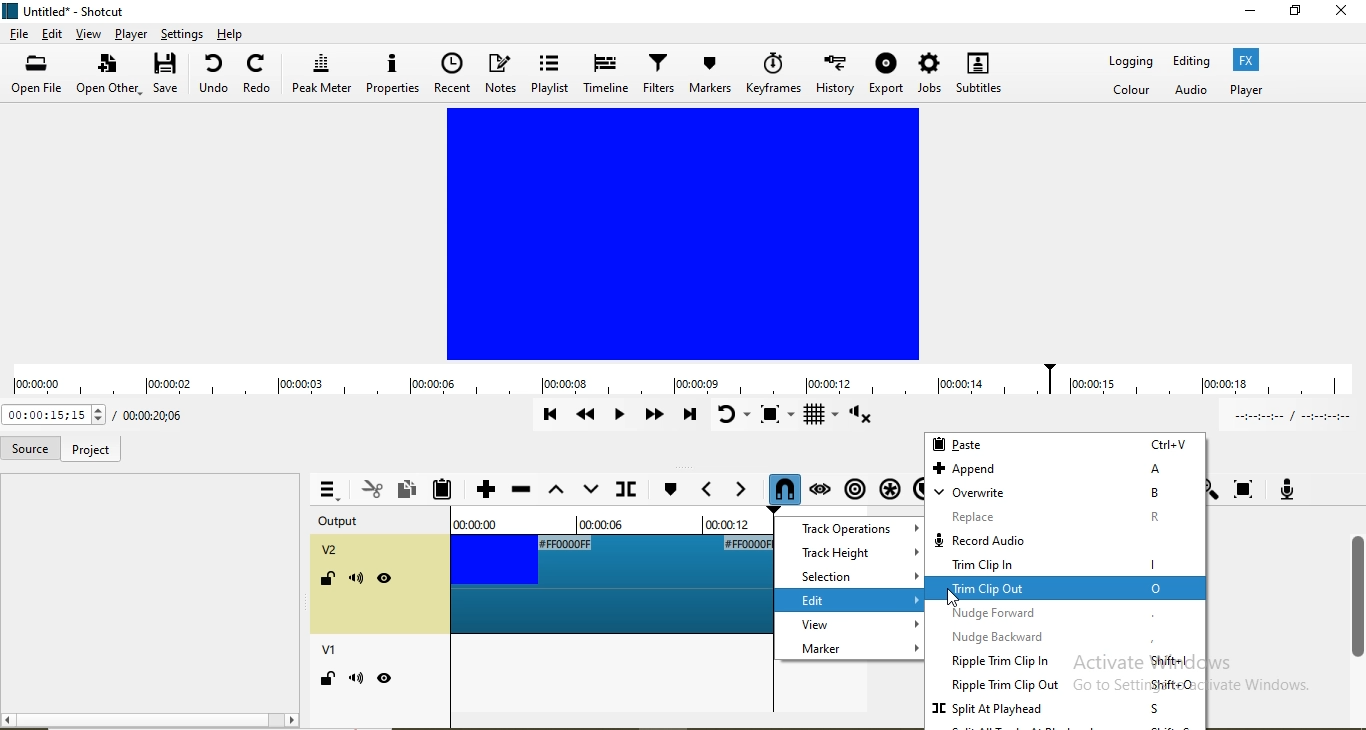 The width and height of the screenshot is (1366, 730). I want to click on Logging, so click(1131, 64).